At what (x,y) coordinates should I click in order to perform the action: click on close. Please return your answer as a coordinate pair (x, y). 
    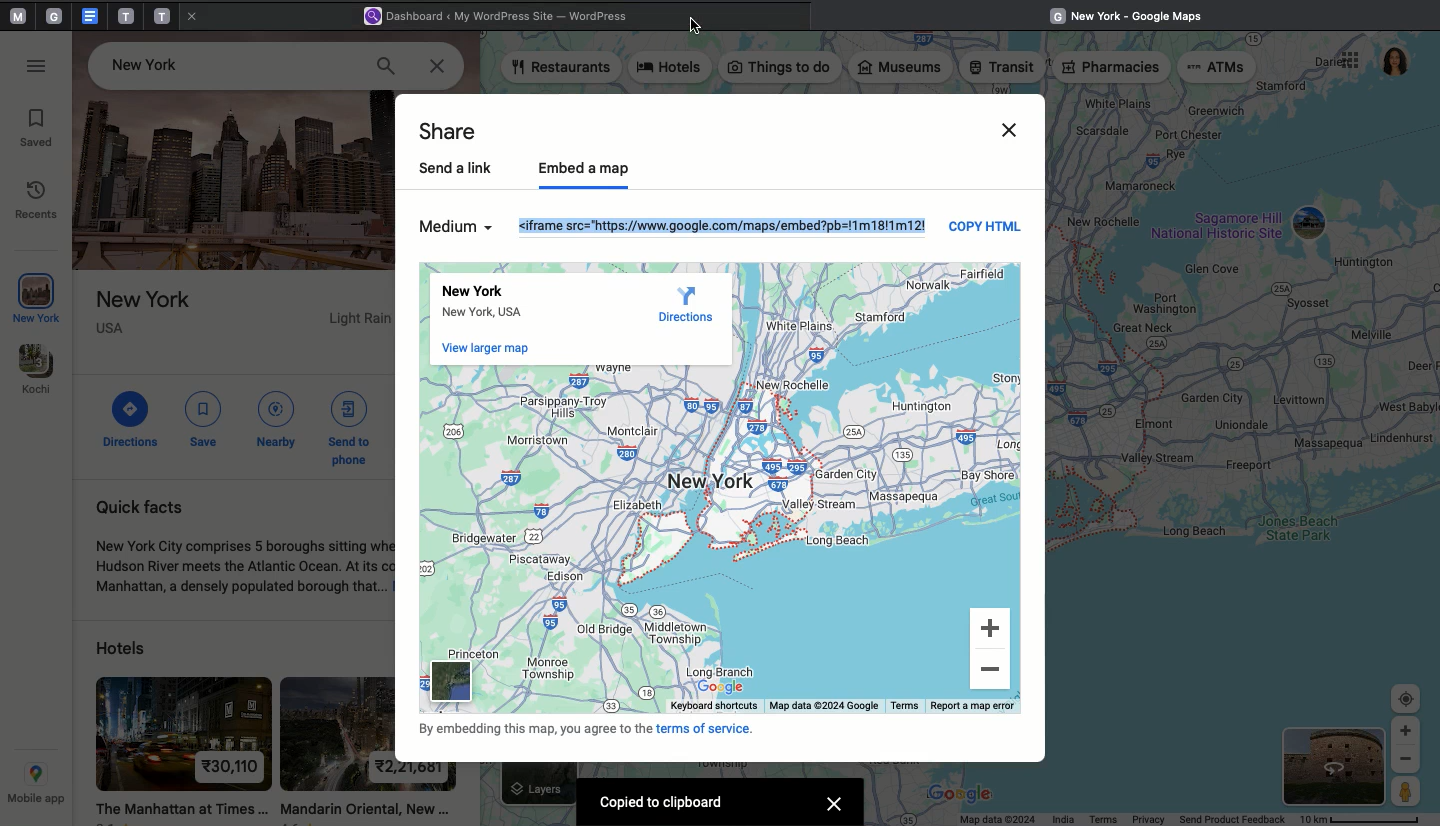
    Looking at the image, I should click on (197, 20).